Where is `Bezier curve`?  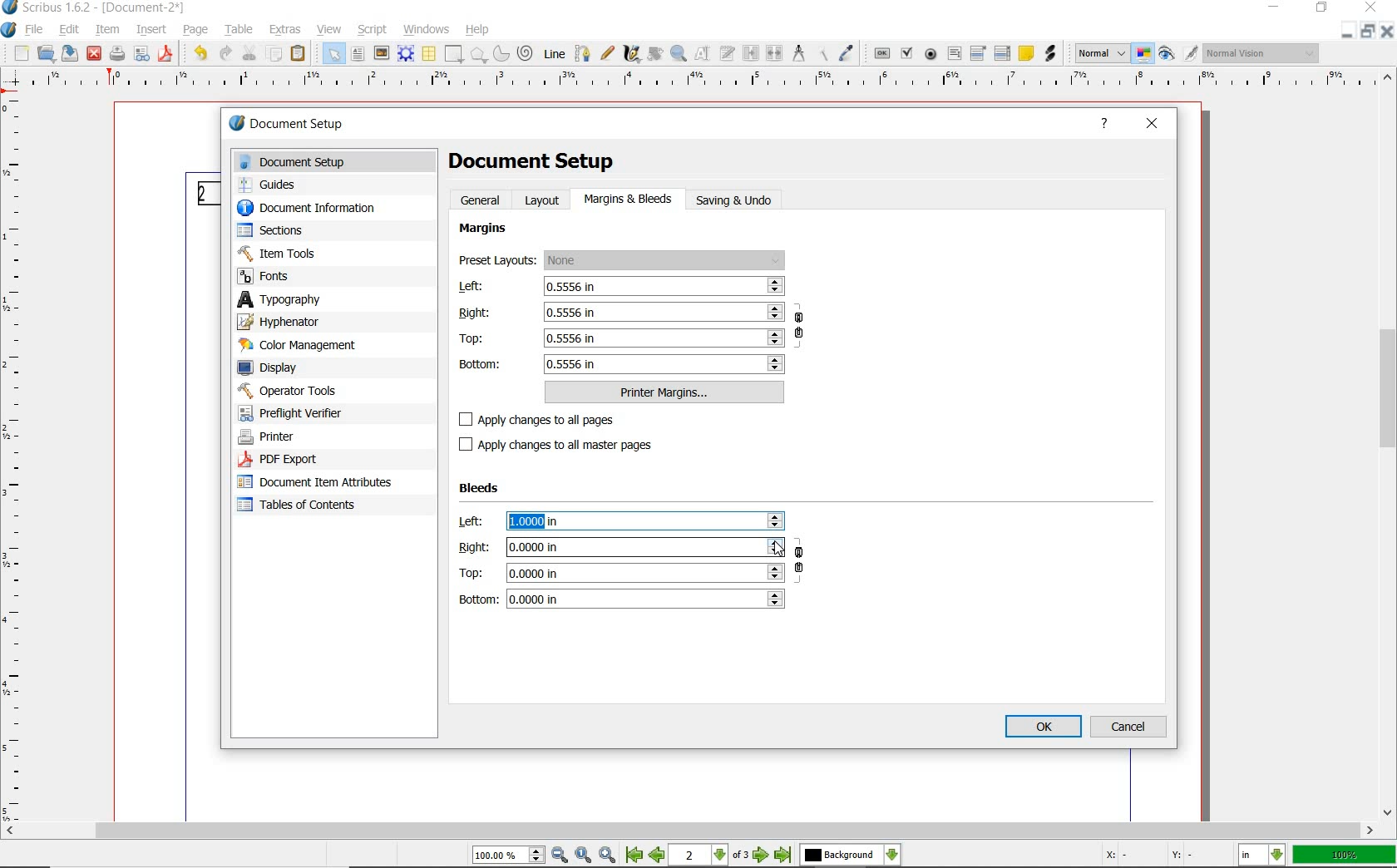 Bezier curve is located at coordinates (583, 53).